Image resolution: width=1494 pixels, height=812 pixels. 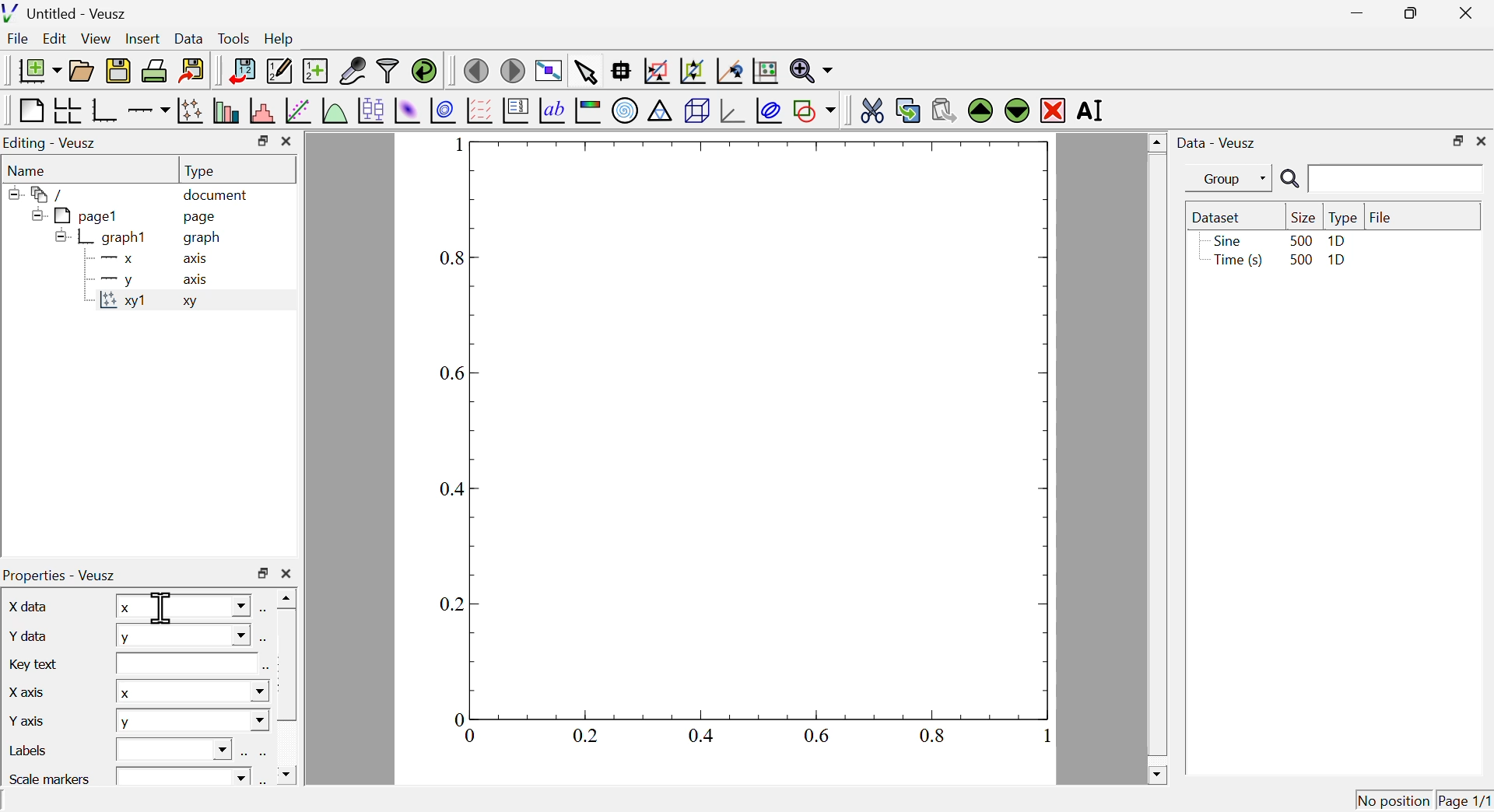 I want to click on xy, so click(x=195, y=305).